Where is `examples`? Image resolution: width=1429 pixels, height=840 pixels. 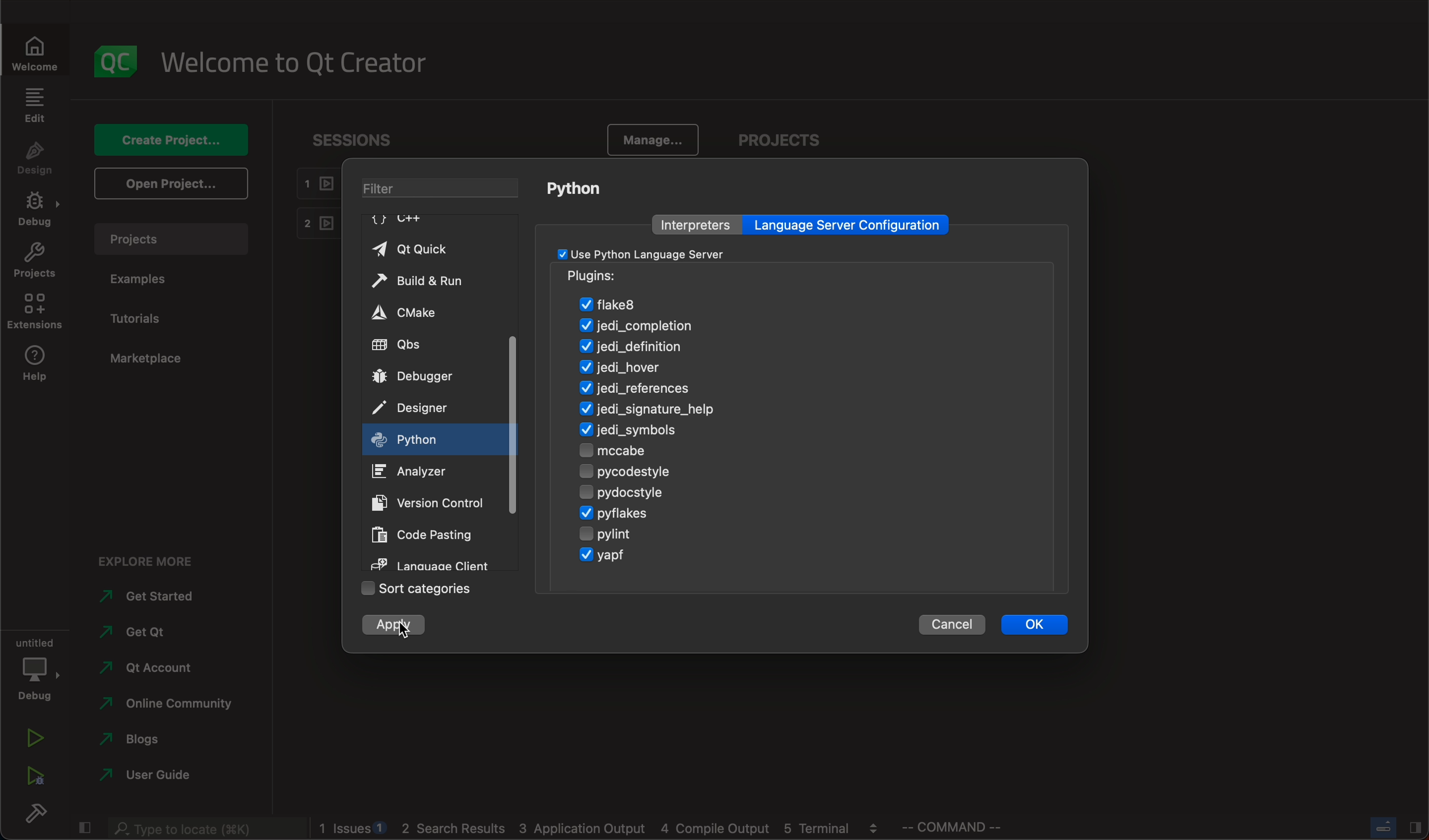 examples is located at coordinates (142, 282).